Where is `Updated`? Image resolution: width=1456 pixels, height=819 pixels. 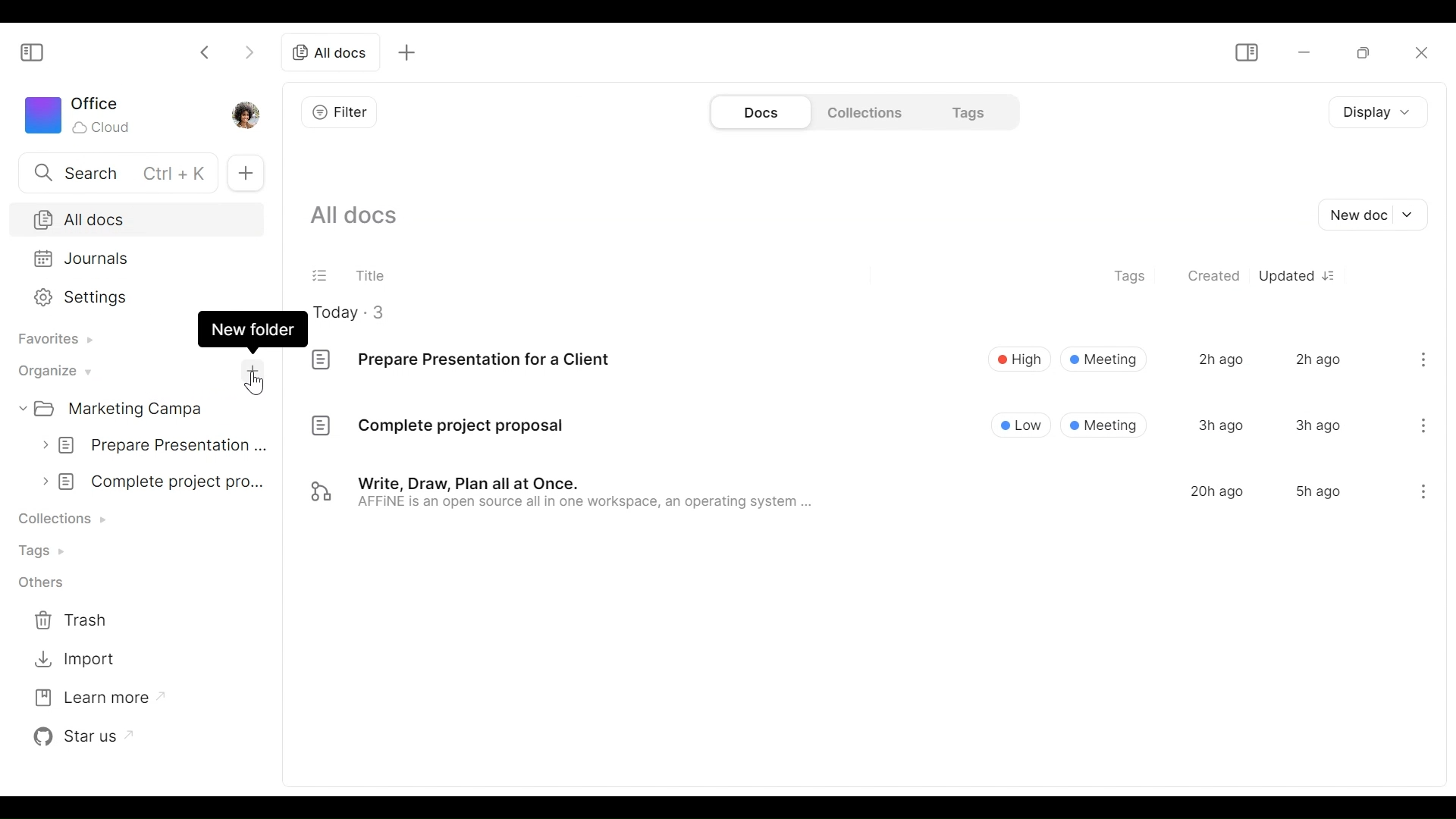
Updated is located at coordinates (1286, 275).